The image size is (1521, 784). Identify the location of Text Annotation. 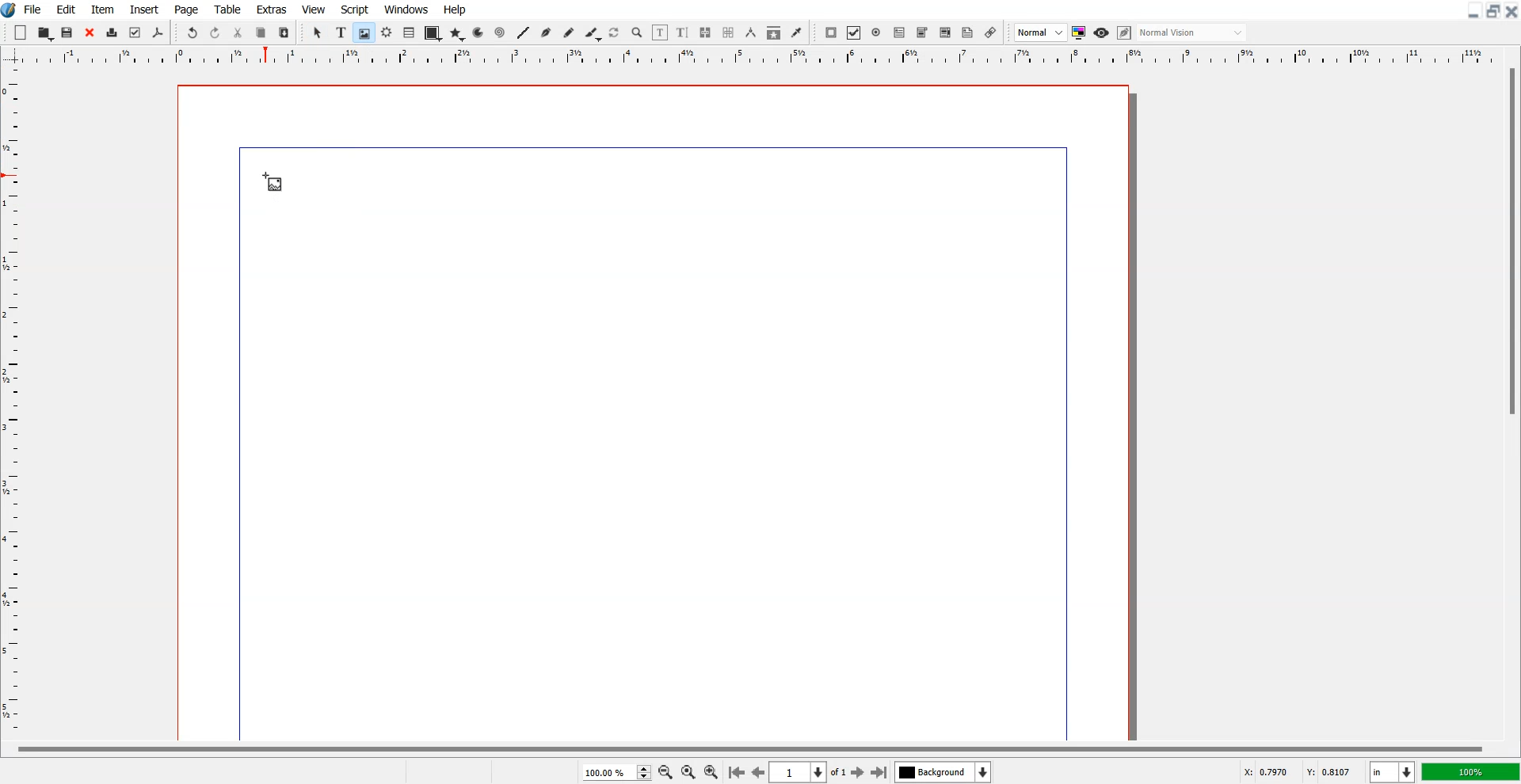
(968, 33).